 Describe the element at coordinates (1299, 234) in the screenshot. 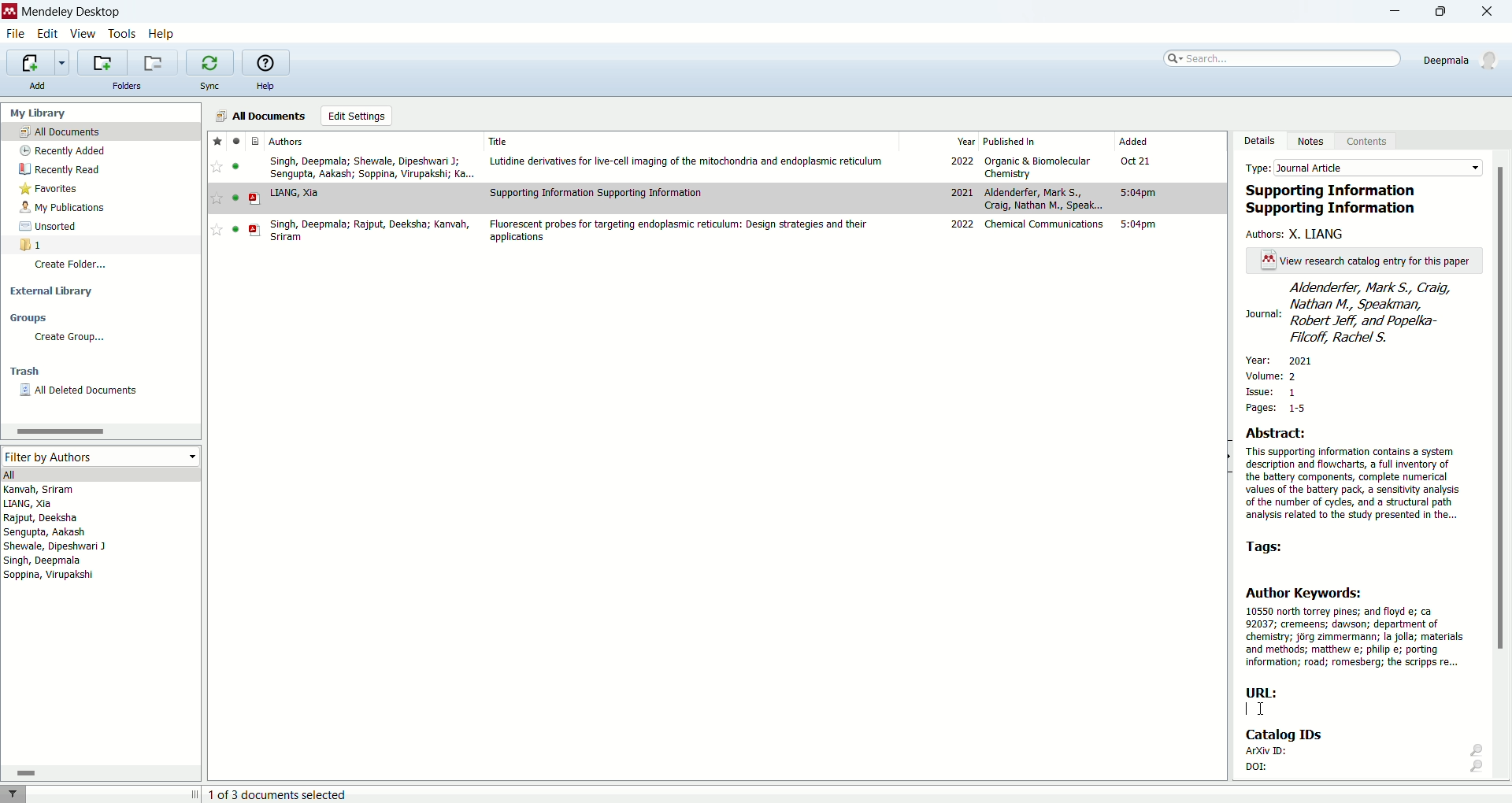

I see `authors: X. LIANG` at that location.